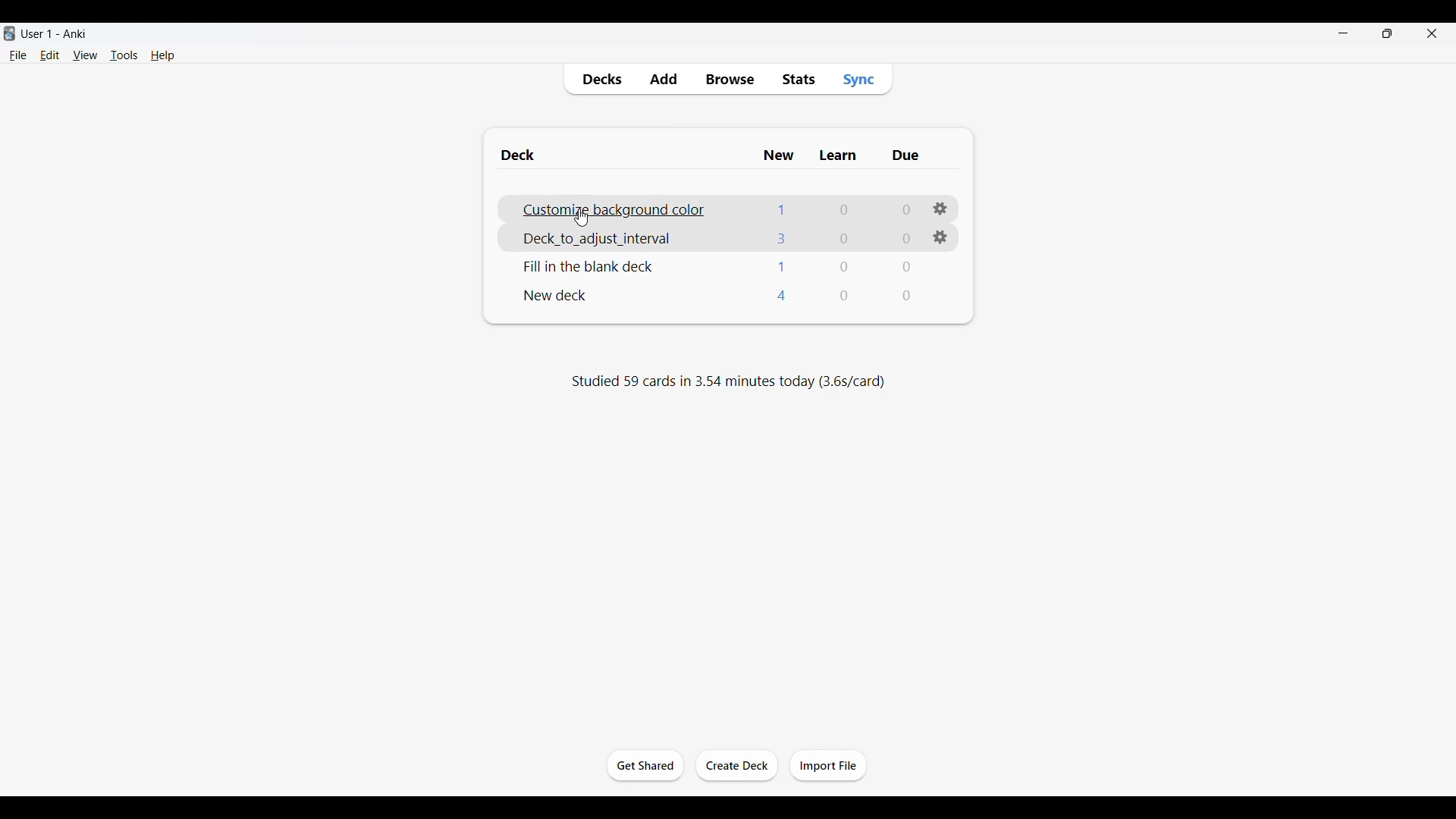  I want to click on Create deck, so click(736, 765).